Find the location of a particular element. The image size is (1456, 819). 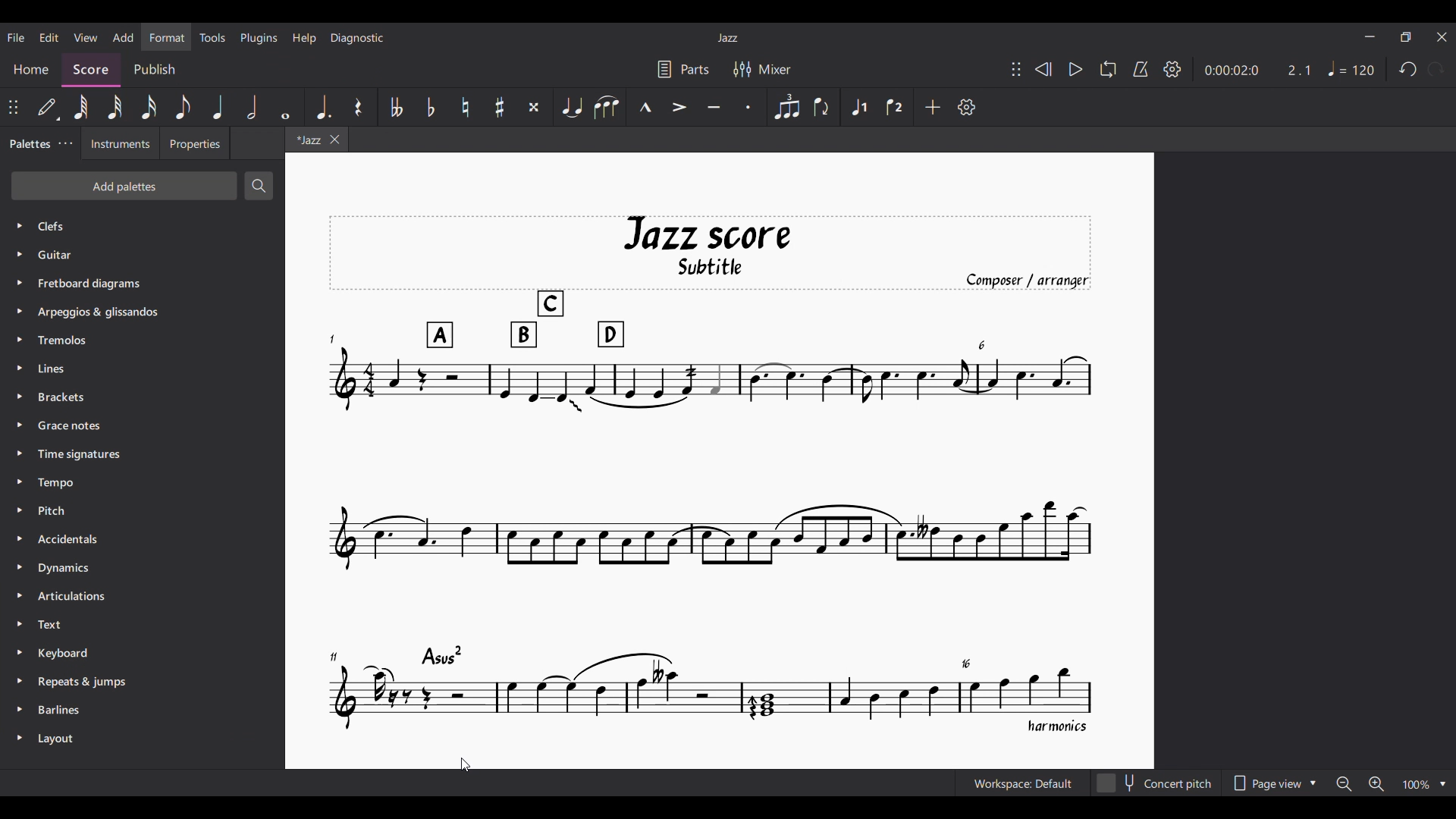

Play is located at coordinates (1076, 70).